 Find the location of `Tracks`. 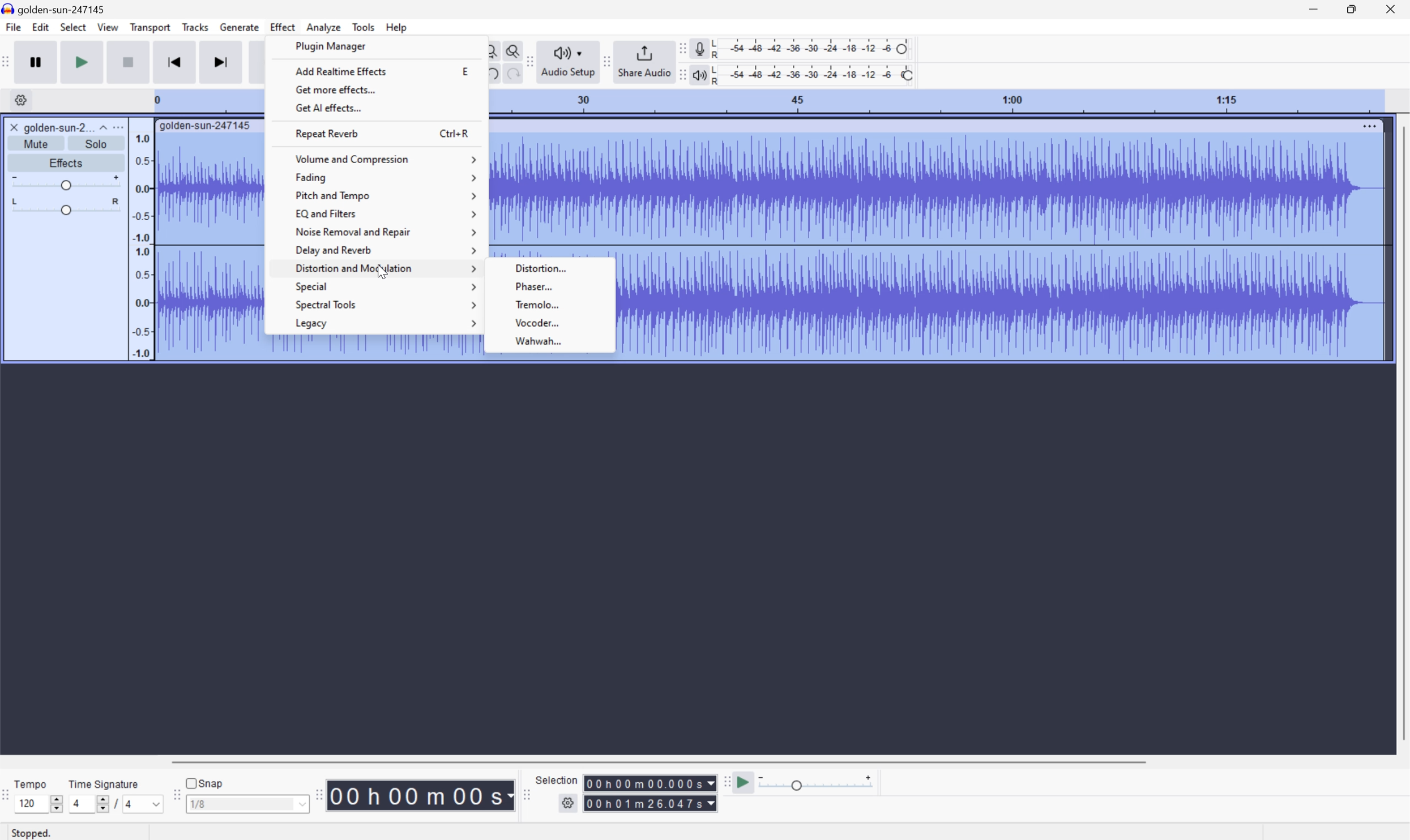

Tracks is located at coordinates (196, 26).